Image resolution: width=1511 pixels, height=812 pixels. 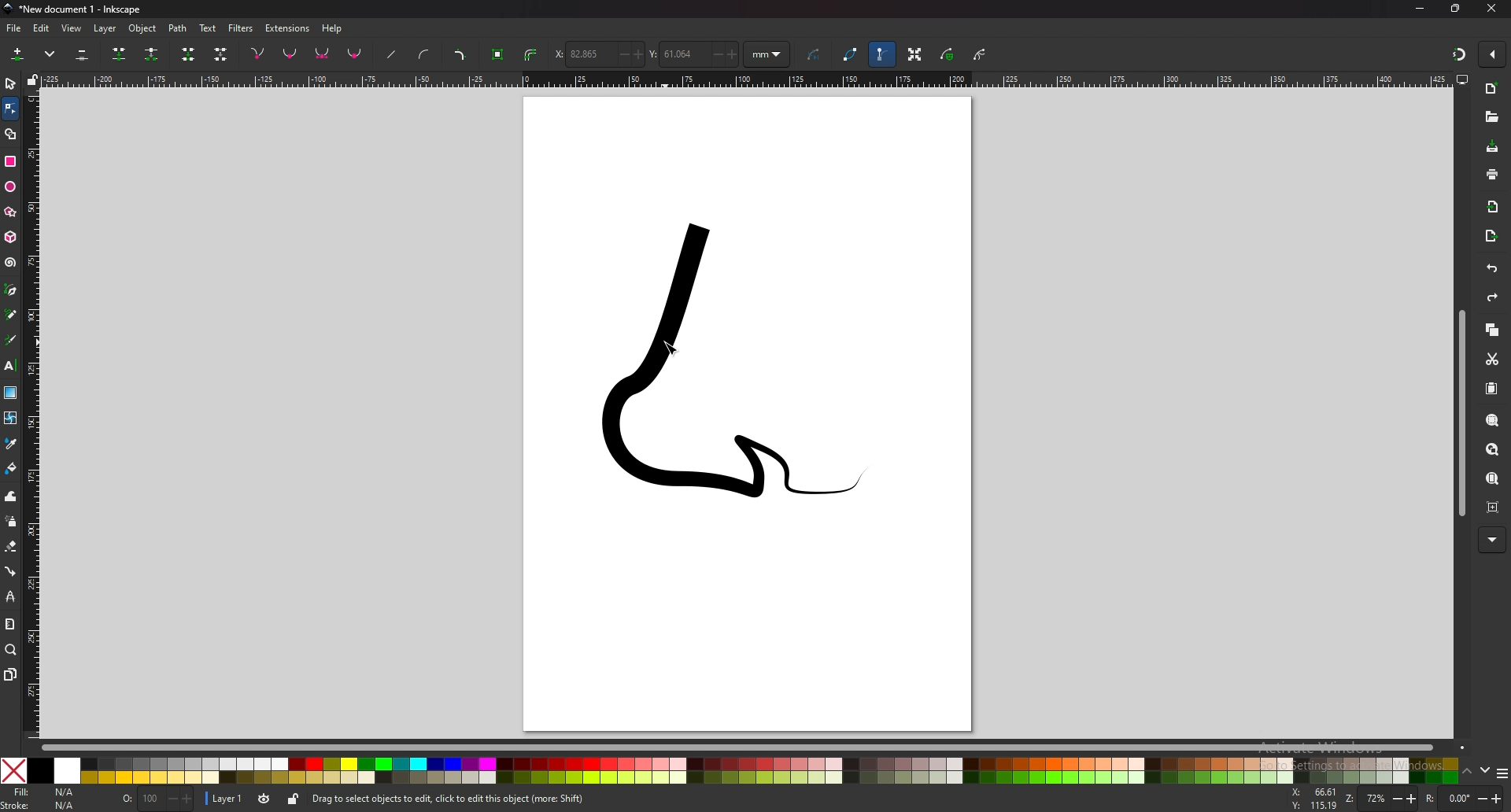 What do you see at coordinates (1468, 772) in the screenshot?
I see `up` at bounding box center [1468, 772].